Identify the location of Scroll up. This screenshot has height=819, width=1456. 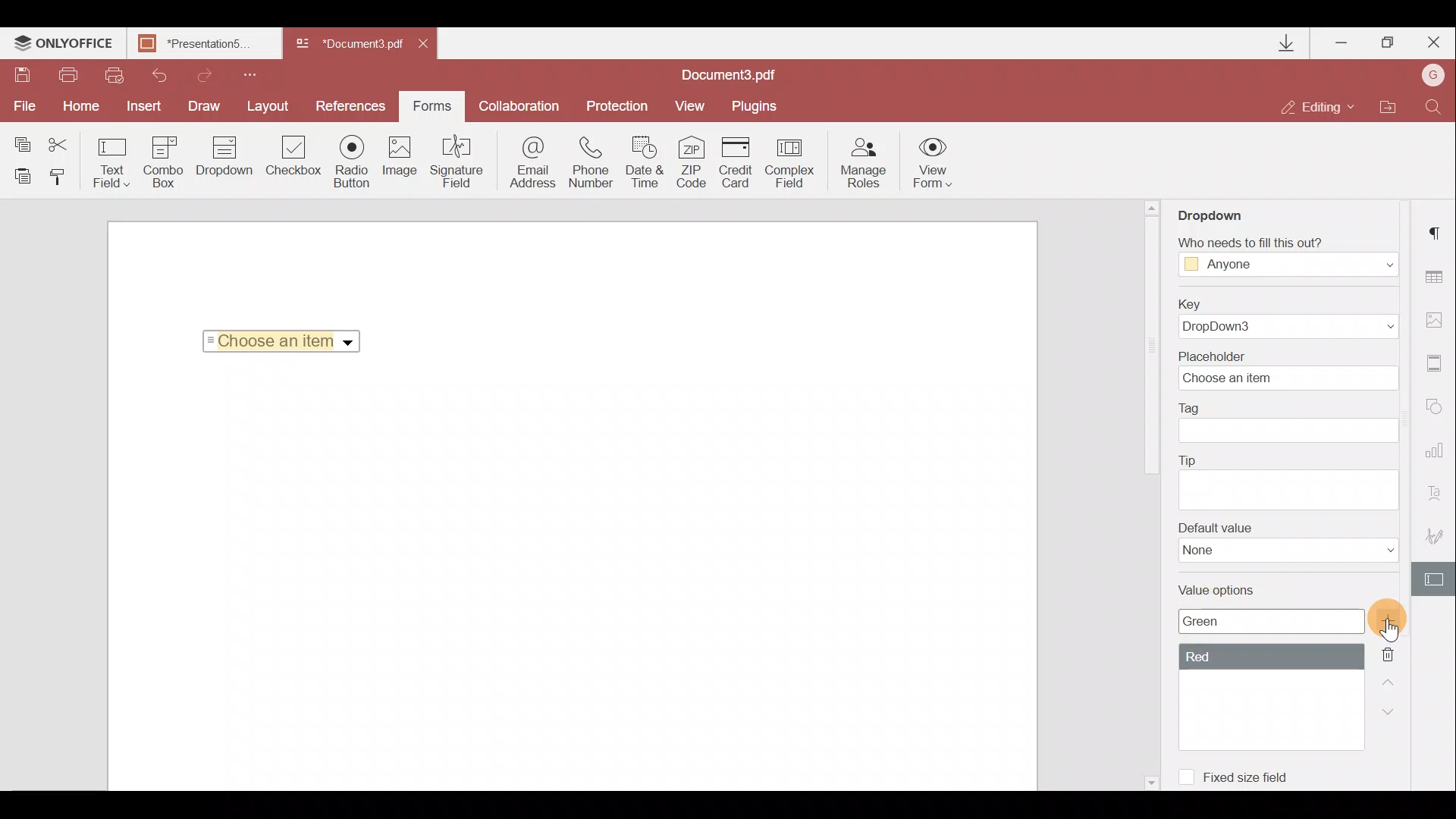
(1153, 207).